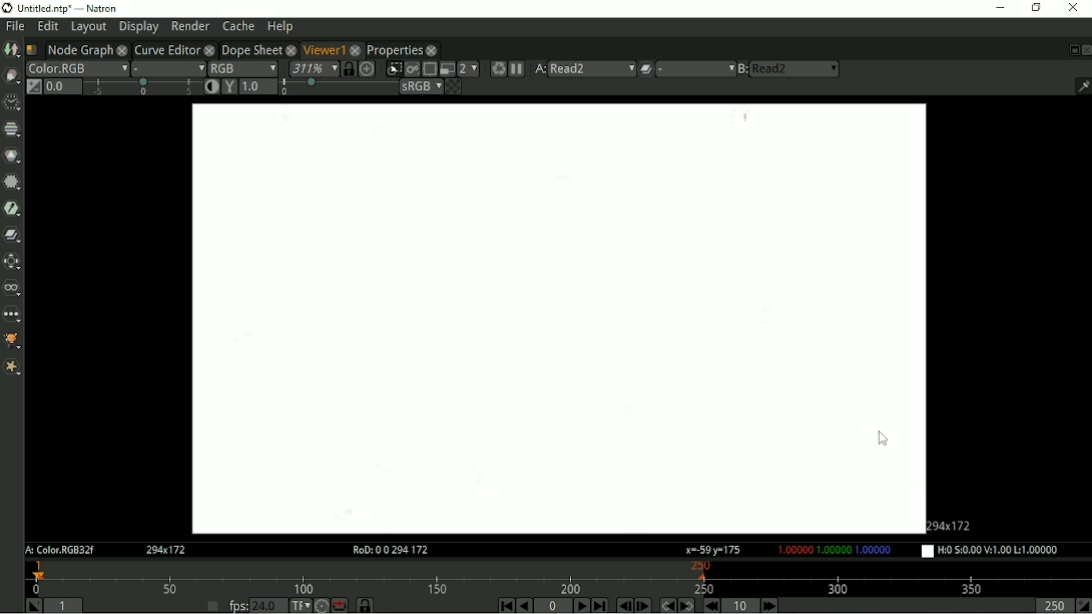  Describe the element at coordinates (11, 76) in the screenshot. I see `Draw` at that location.